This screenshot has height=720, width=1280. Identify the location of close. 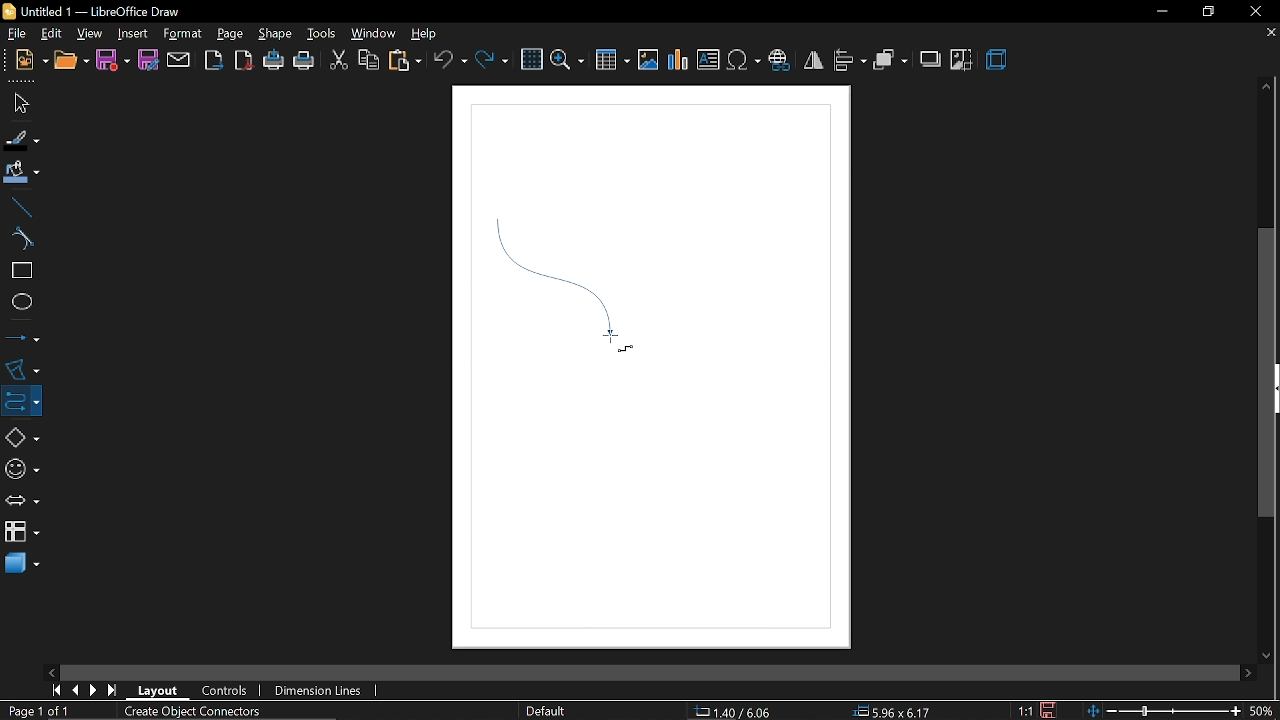
(1253, 11).